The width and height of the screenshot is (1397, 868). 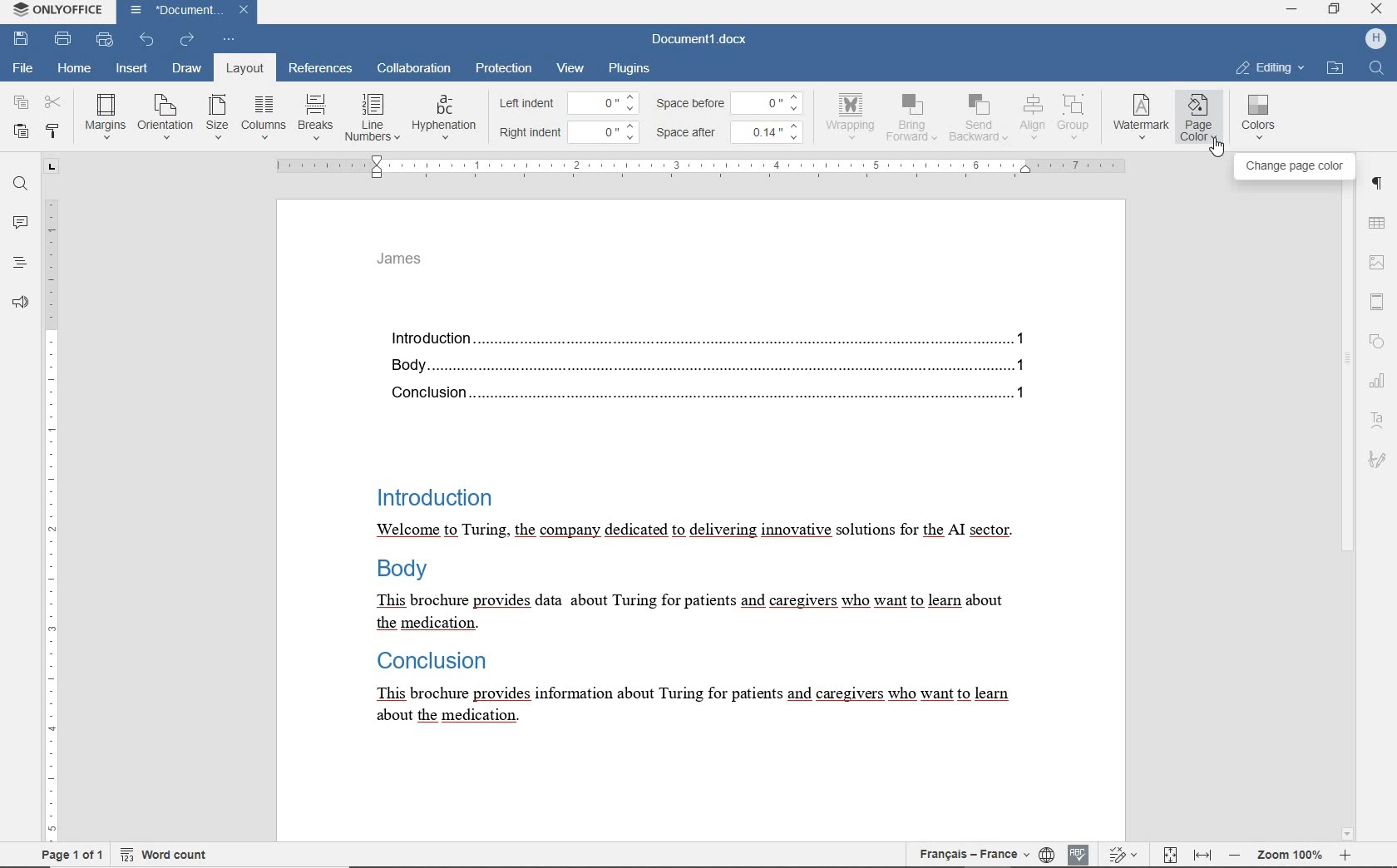 I want to click on shape, so click(x=1377, y=341).